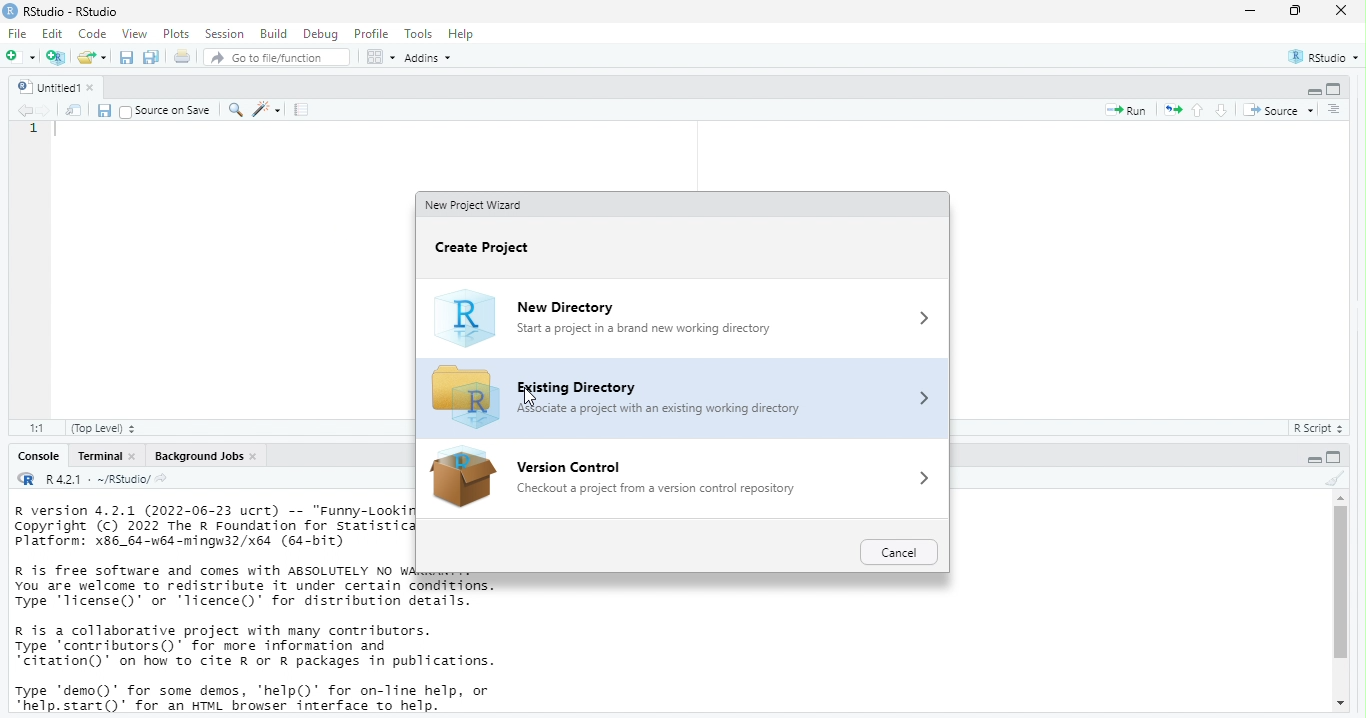  What do you see at coordinates (1251, 11) in the screenshot?
I see `minimize` at bounding box center [1251, 11].